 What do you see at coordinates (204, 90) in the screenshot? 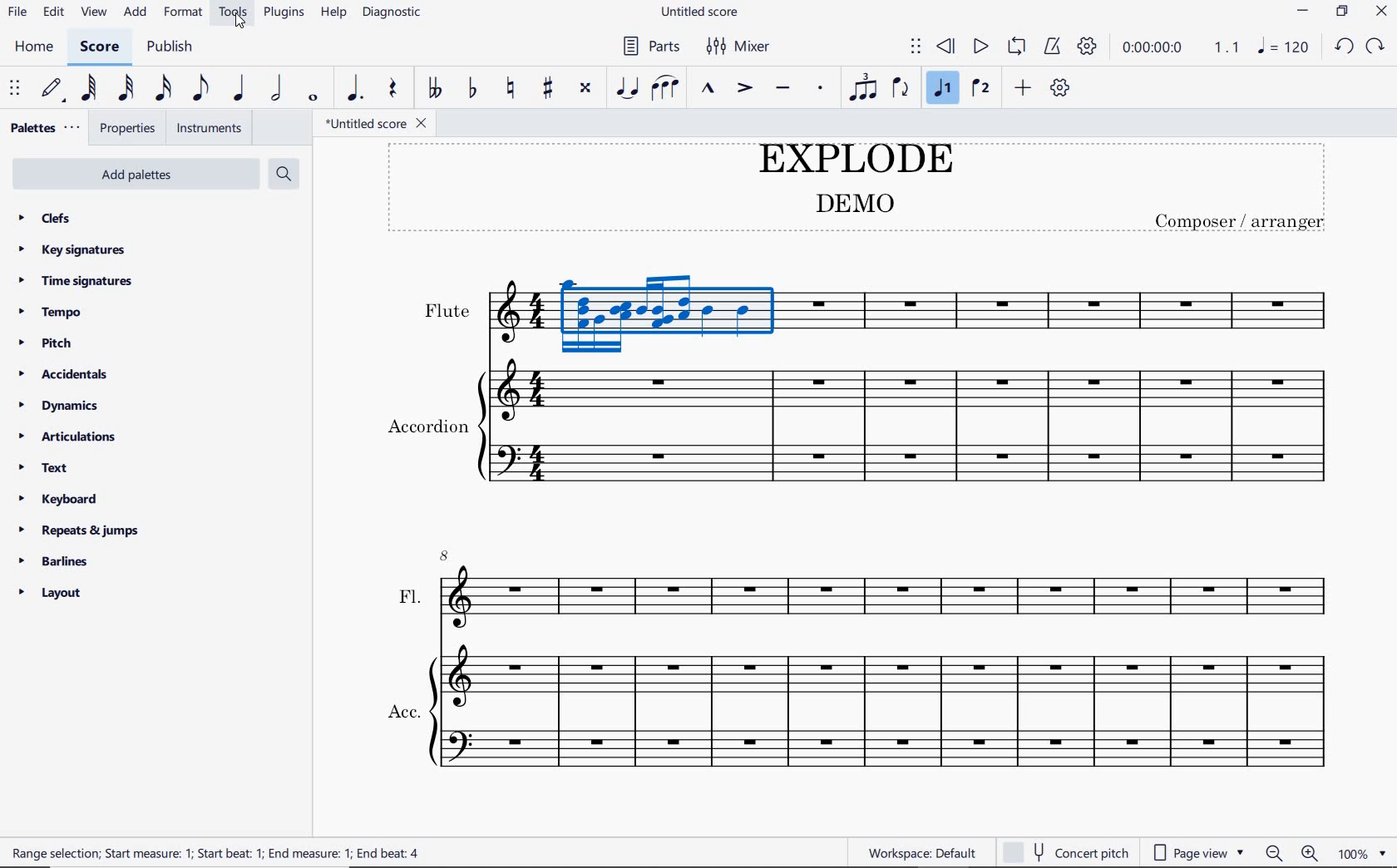
I see `eighth note` at bounding box center [204, 90].